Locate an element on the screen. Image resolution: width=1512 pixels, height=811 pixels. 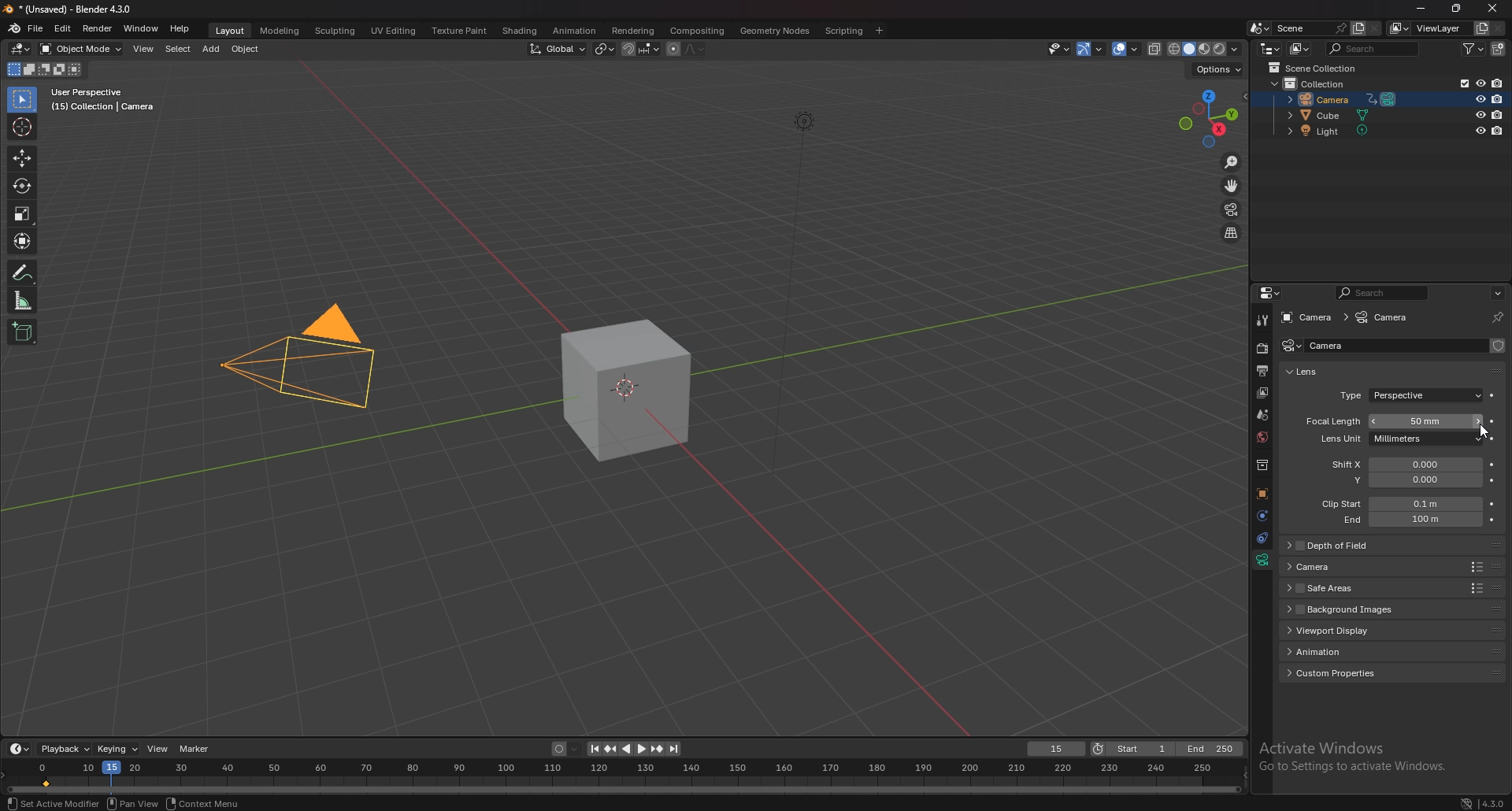
hide in viewport is located at coordinates (1480, 131).